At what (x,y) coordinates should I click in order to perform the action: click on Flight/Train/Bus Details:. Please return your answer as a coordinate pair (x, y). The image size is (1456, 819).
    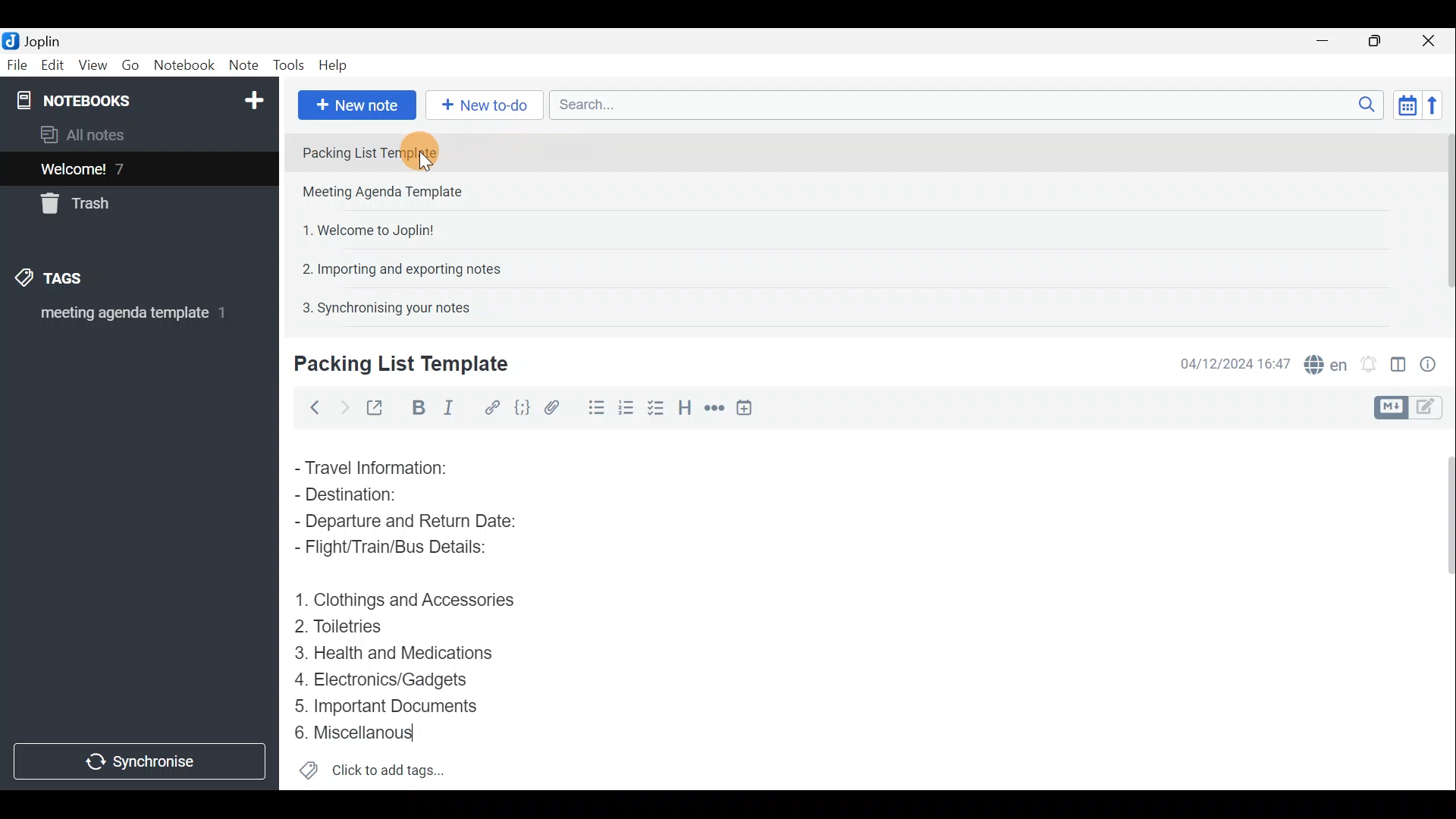
    Looking at the image, I should click on (406, 551).